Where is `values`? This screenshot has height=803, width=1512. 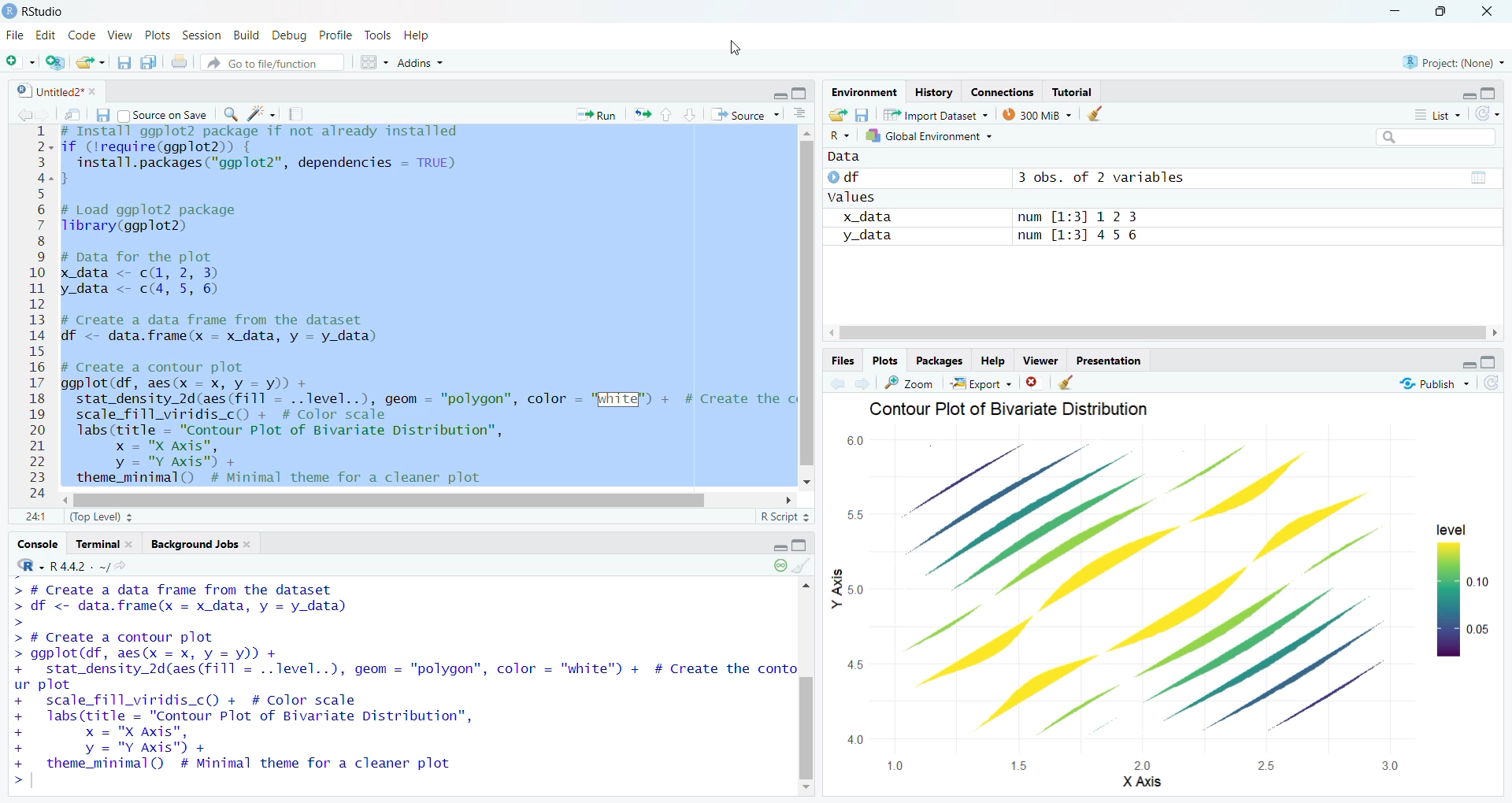
values is located at coordinates (857, 198).